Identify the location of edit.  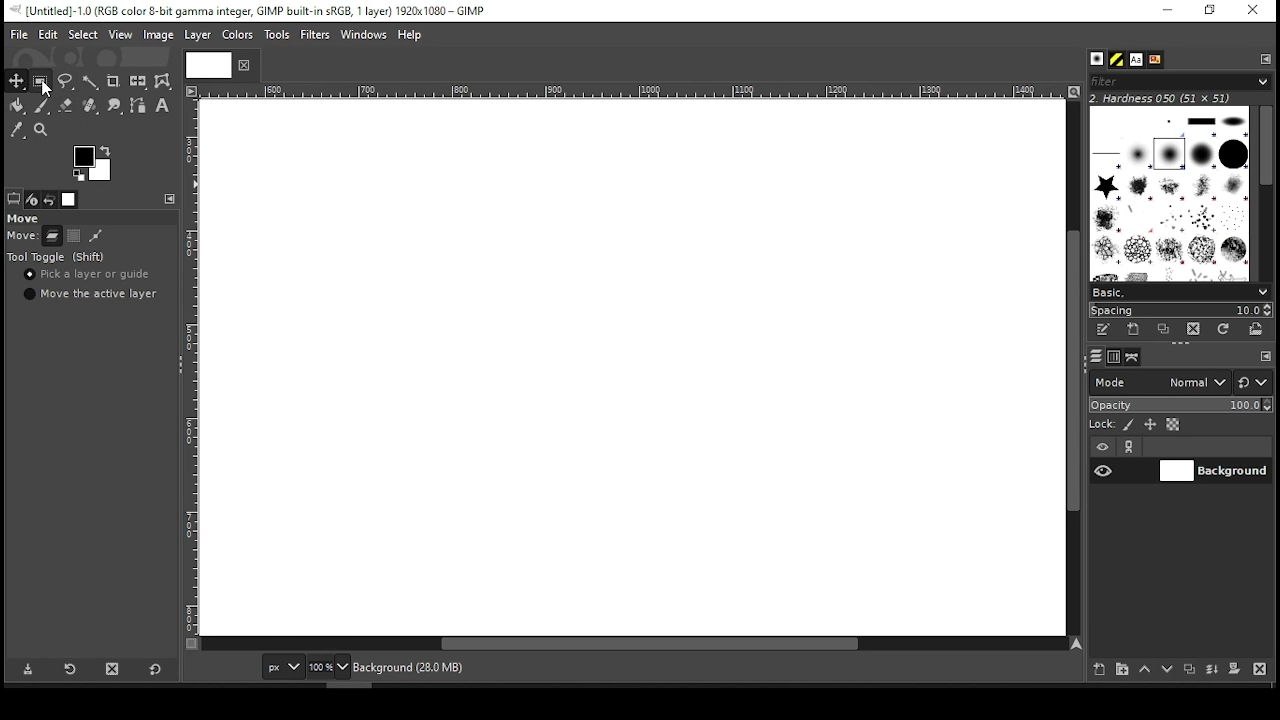
(48, 34).